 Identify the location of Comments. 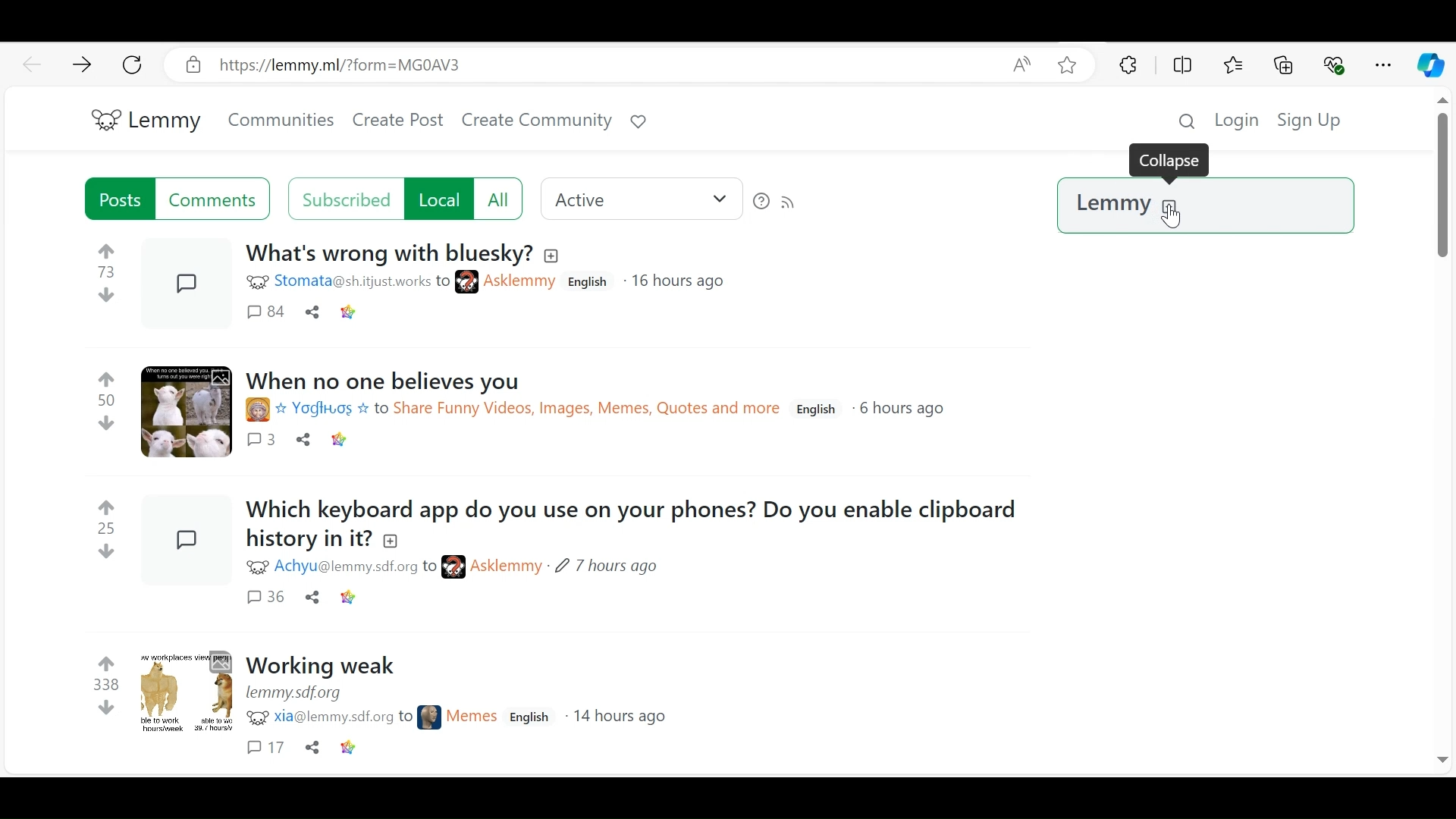
(216, 199).